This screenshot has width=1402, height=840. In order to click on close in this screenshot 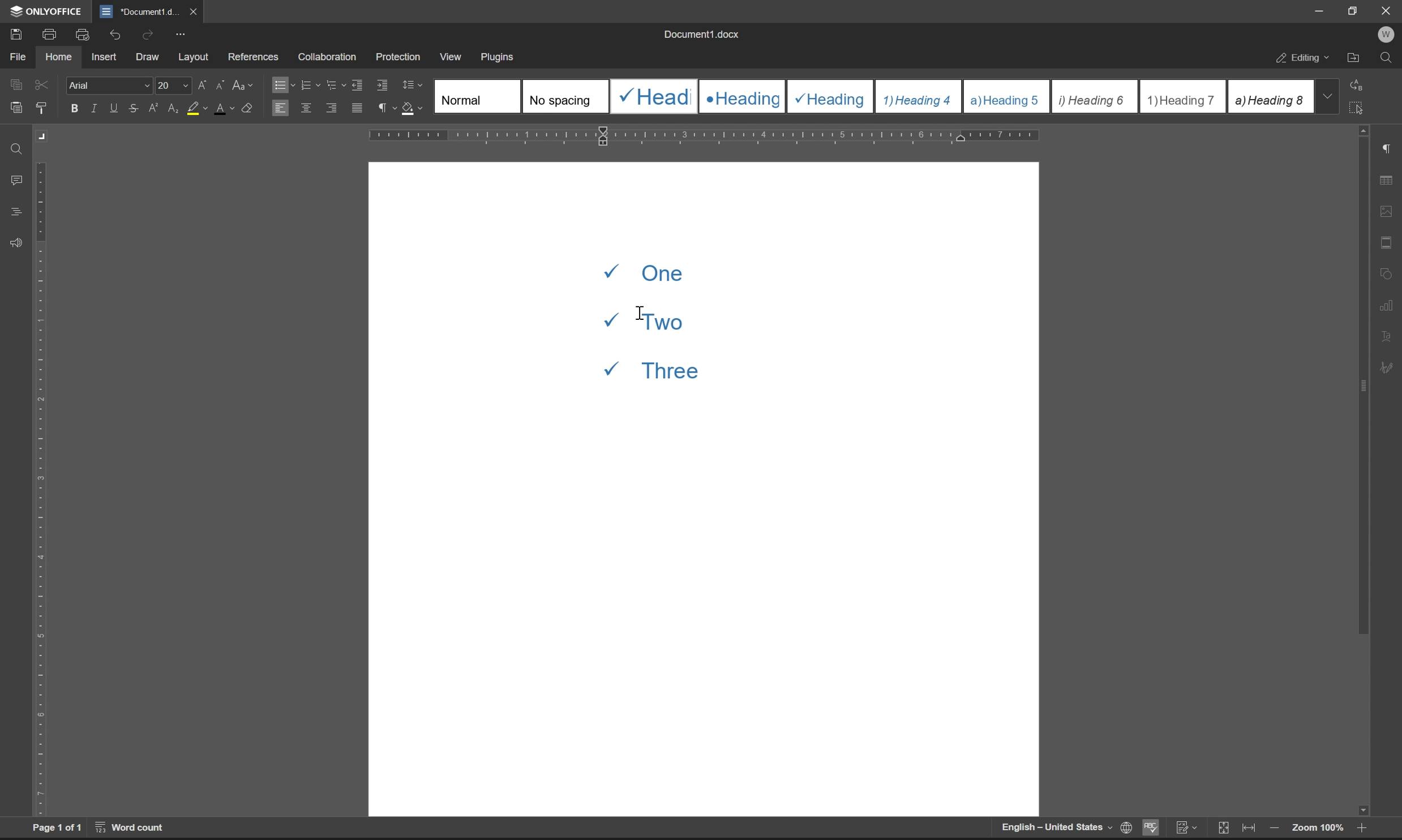, I will do `click(192, 11)`.